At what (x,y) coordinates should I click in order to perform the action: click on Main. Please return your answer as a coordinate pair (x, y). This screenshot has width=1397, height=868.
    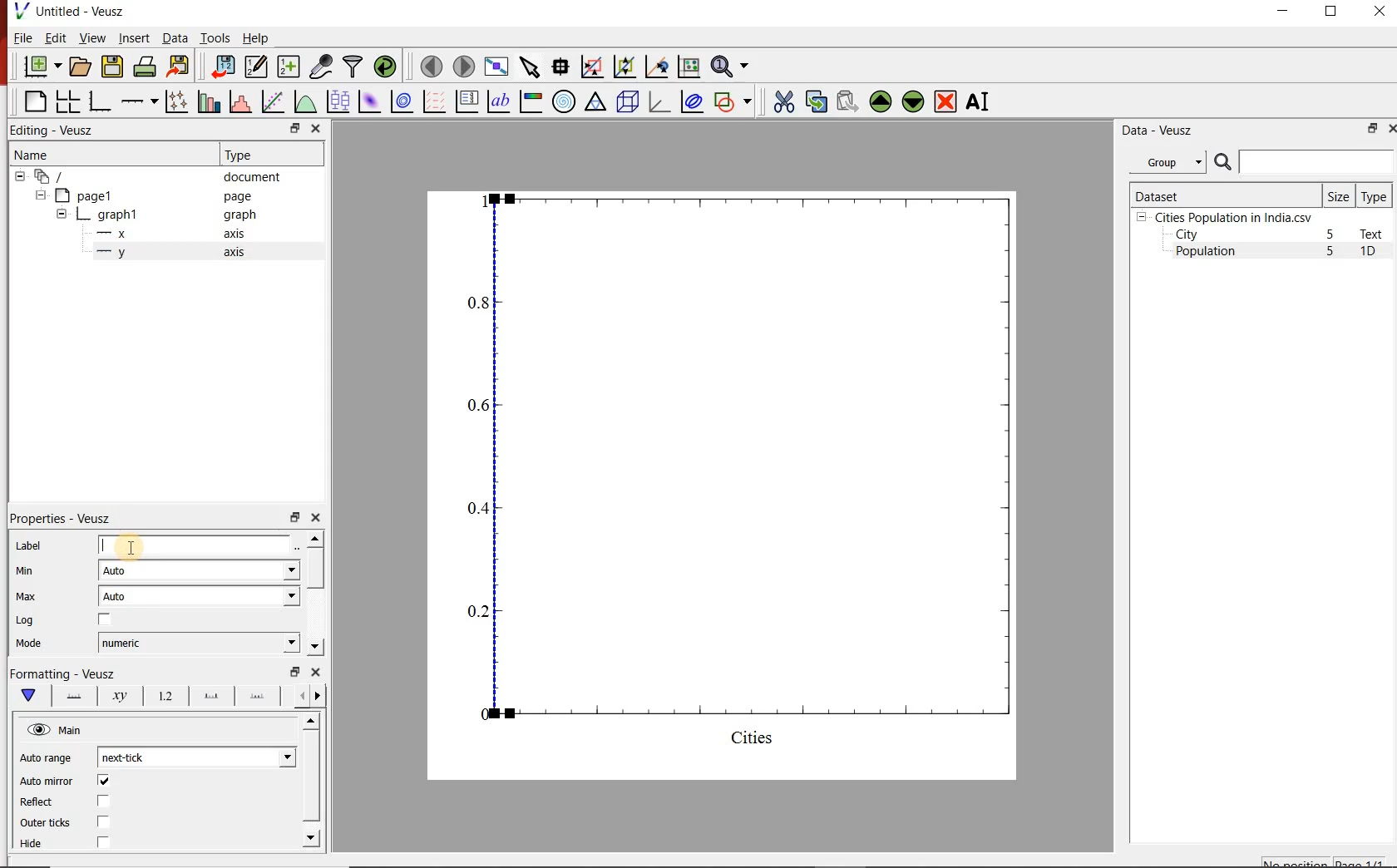
    Looking at the image, I should click on (56, 730).